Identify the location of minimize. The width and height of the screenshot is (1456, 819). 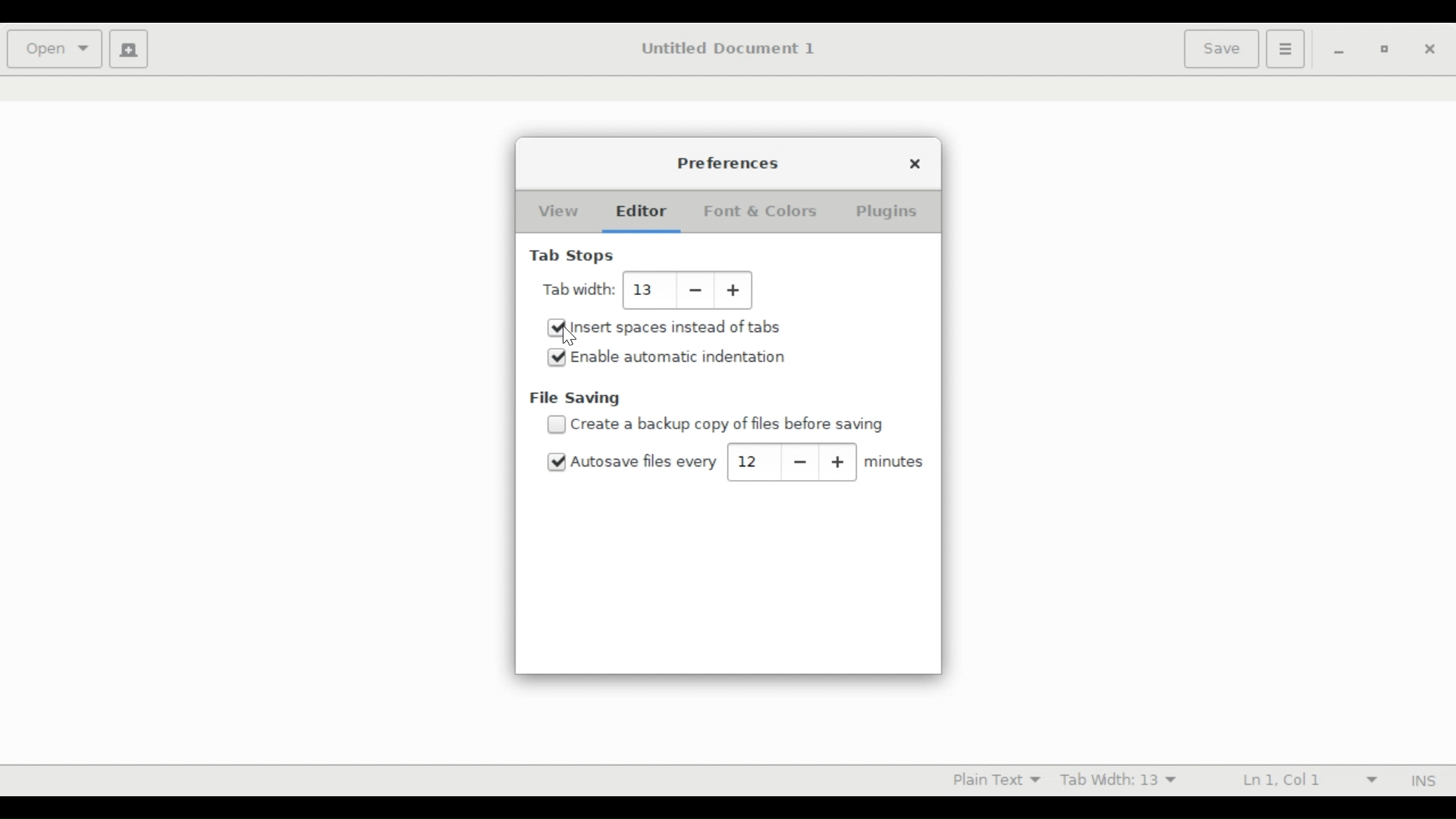
(1339, 49).